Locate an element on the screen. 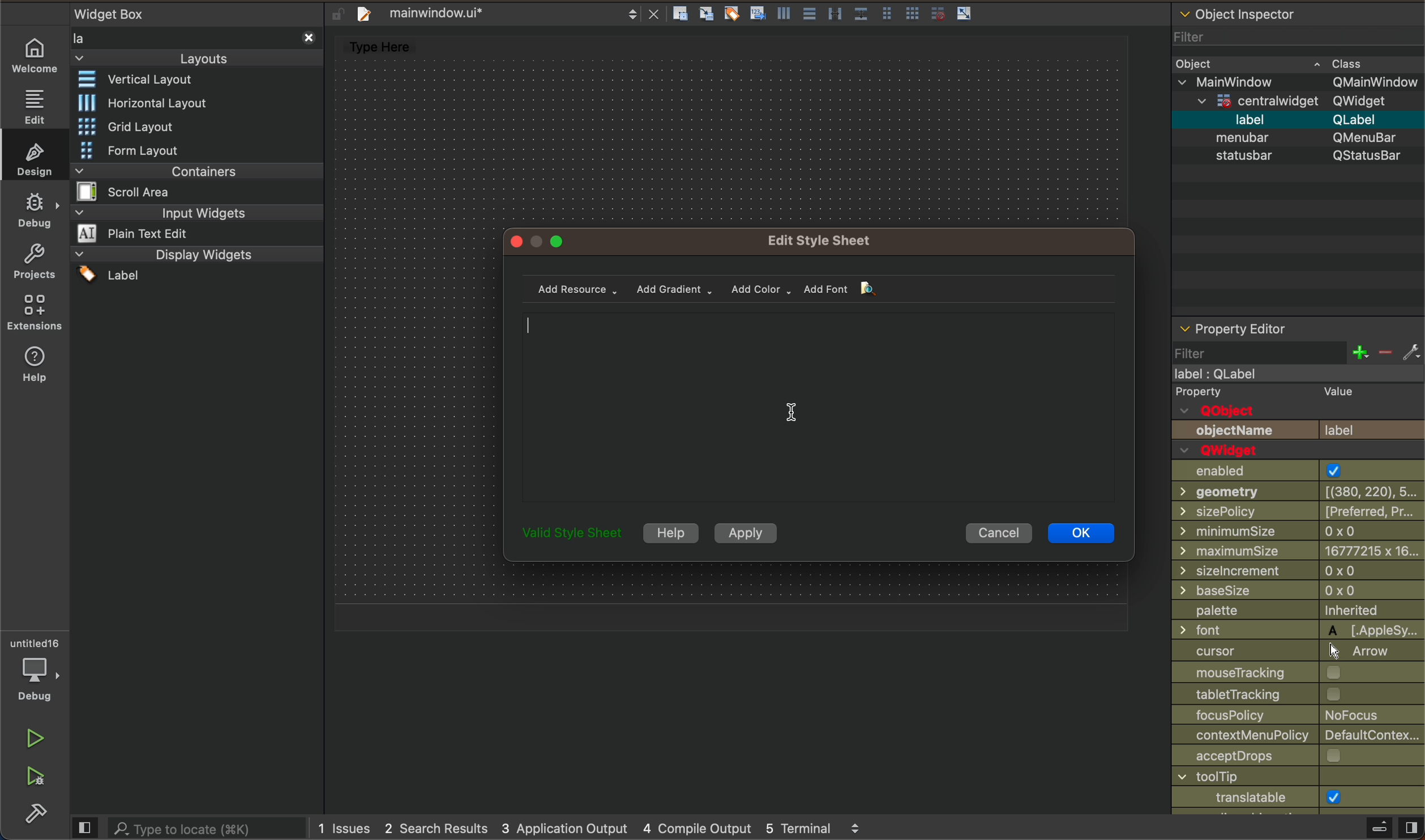  input widget is located at coordinates (195, 224).